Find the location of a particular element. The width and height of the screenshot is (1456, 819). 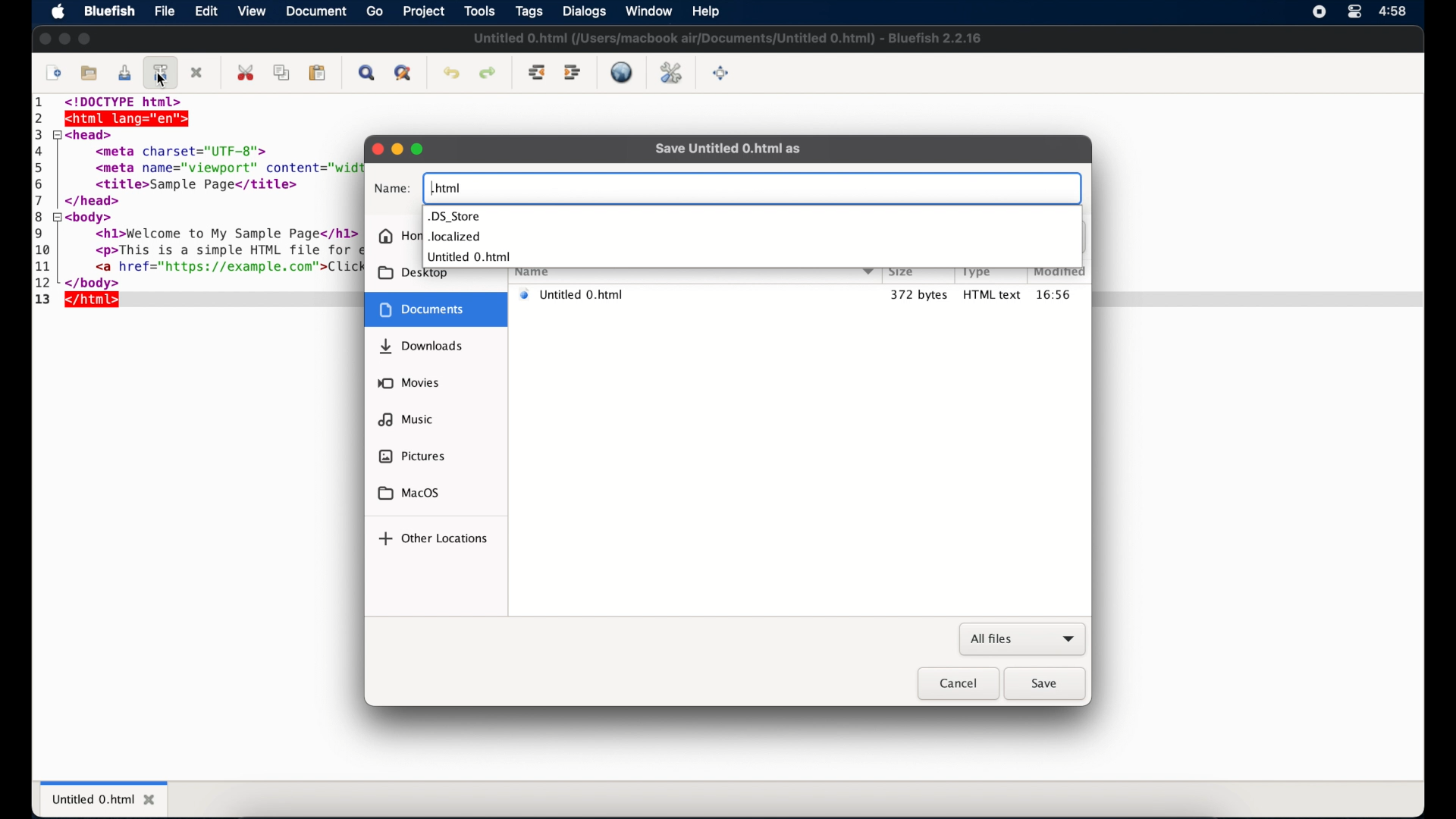

project is located at coordinates (425, 12).